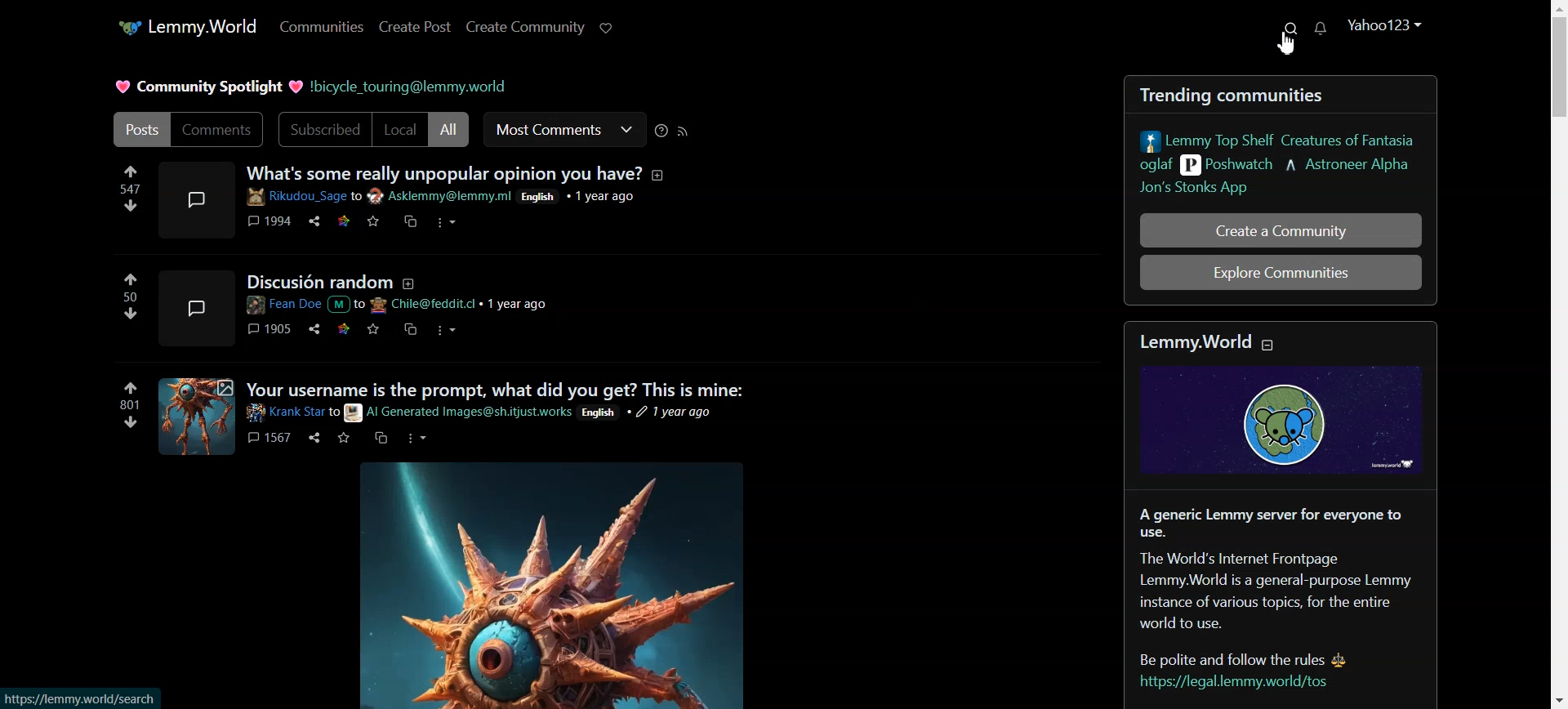  I want to click on , so click(79, 698).